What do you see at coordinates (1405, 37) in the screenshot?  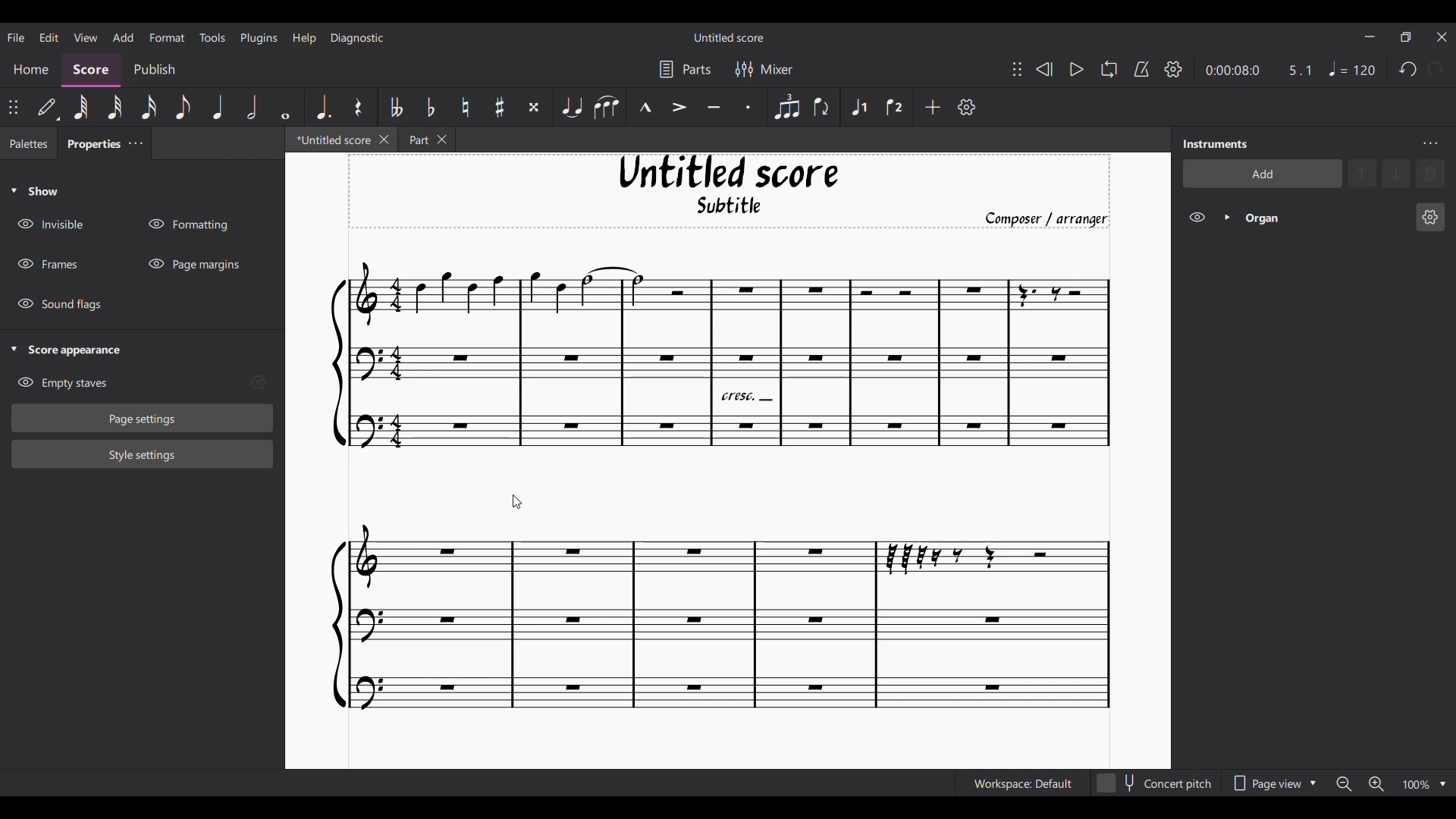 I see `Show interface in a smaller tab` at bounding box center [1405, 37].